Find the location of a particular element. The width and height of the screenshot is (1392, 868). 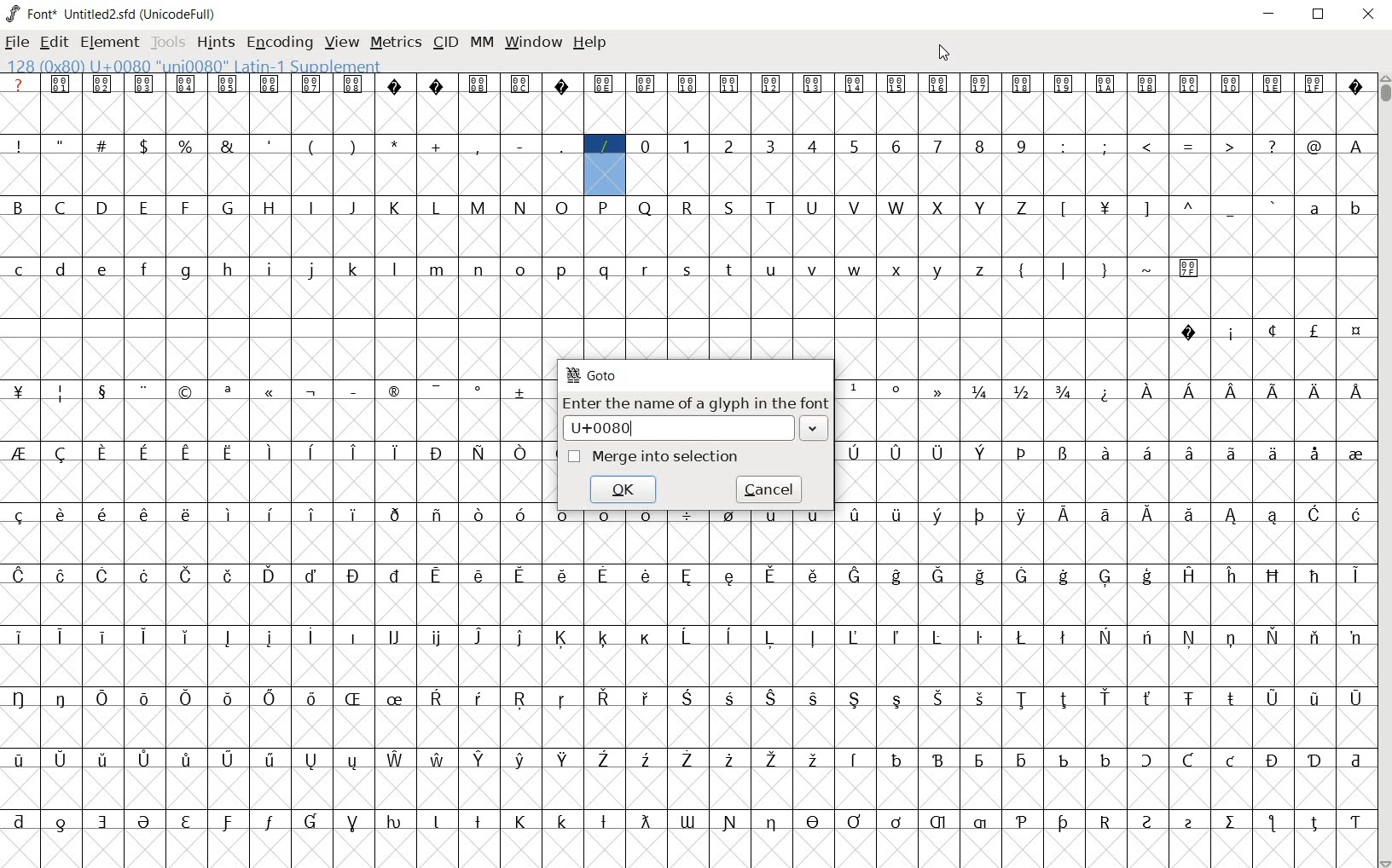

glyph is located at coordinates (980, 576).